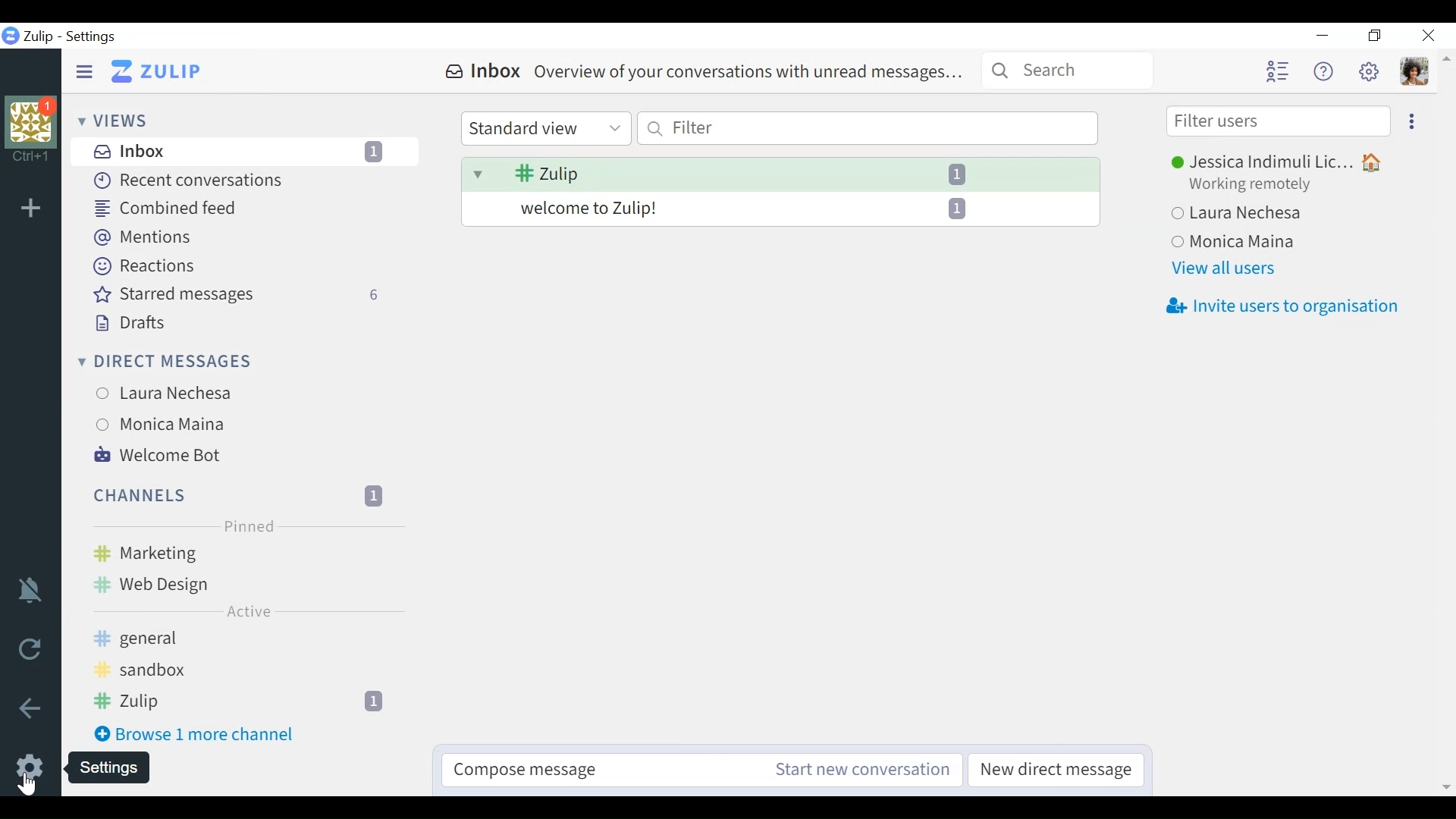 The width and height of the screenshot is (1456, 819). I want to click on Overview of your converstions with unread messages, so click(780, 174).